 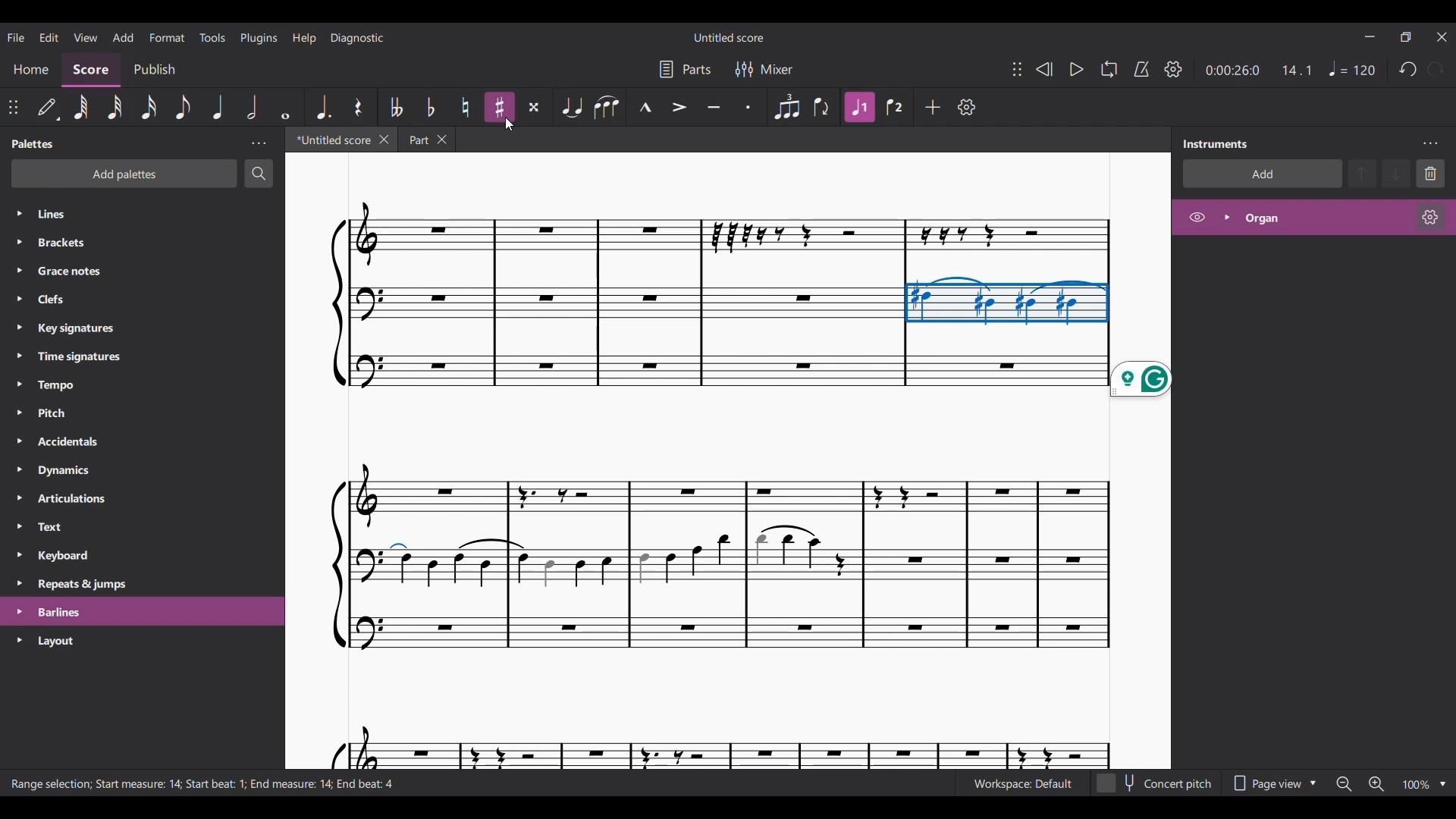 What do you see at coordinates (717, 608) in the screenshot?
I see `music visuals` at bounding box center [717, 608].